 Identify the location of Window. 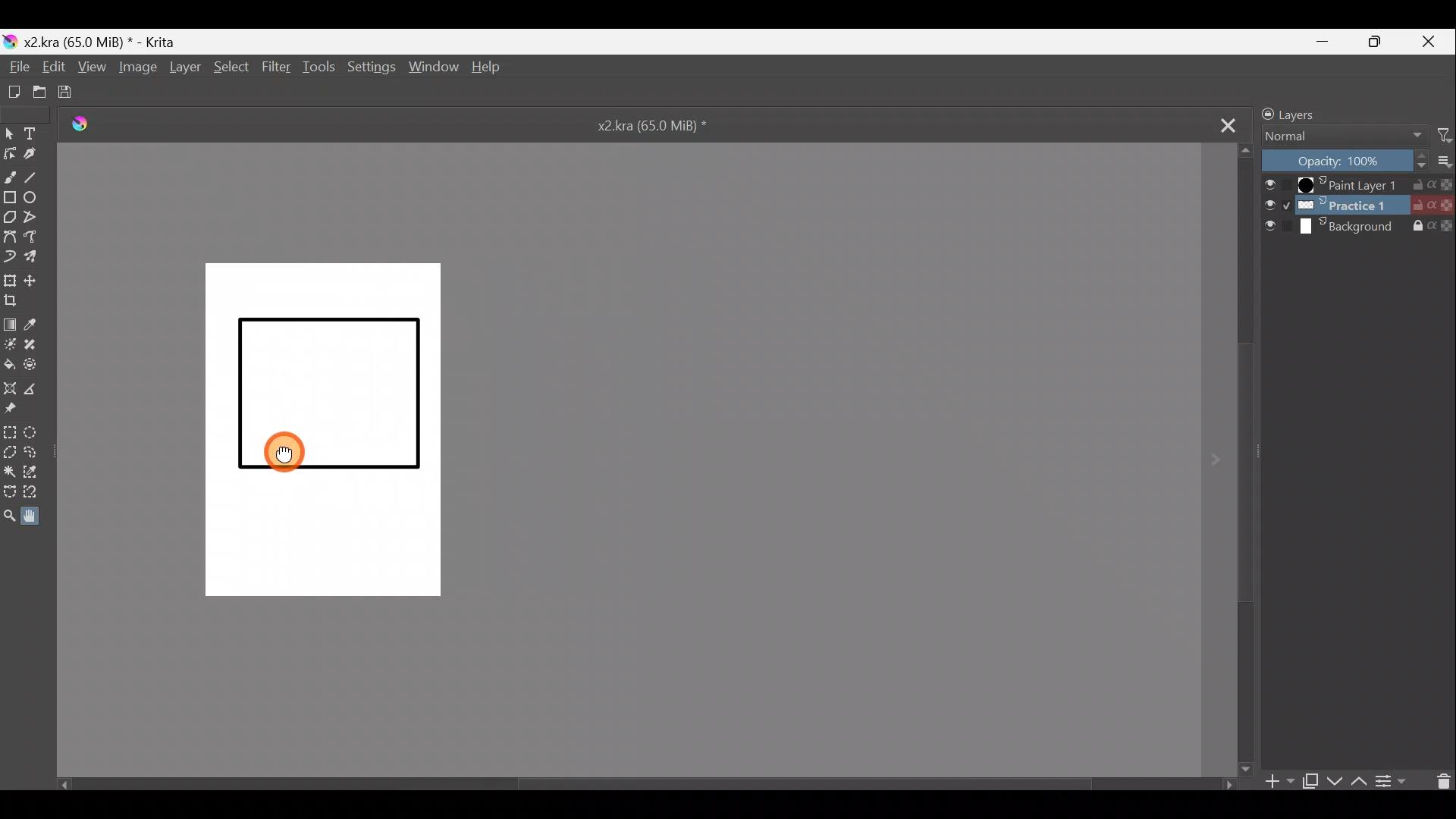
(431, 68).